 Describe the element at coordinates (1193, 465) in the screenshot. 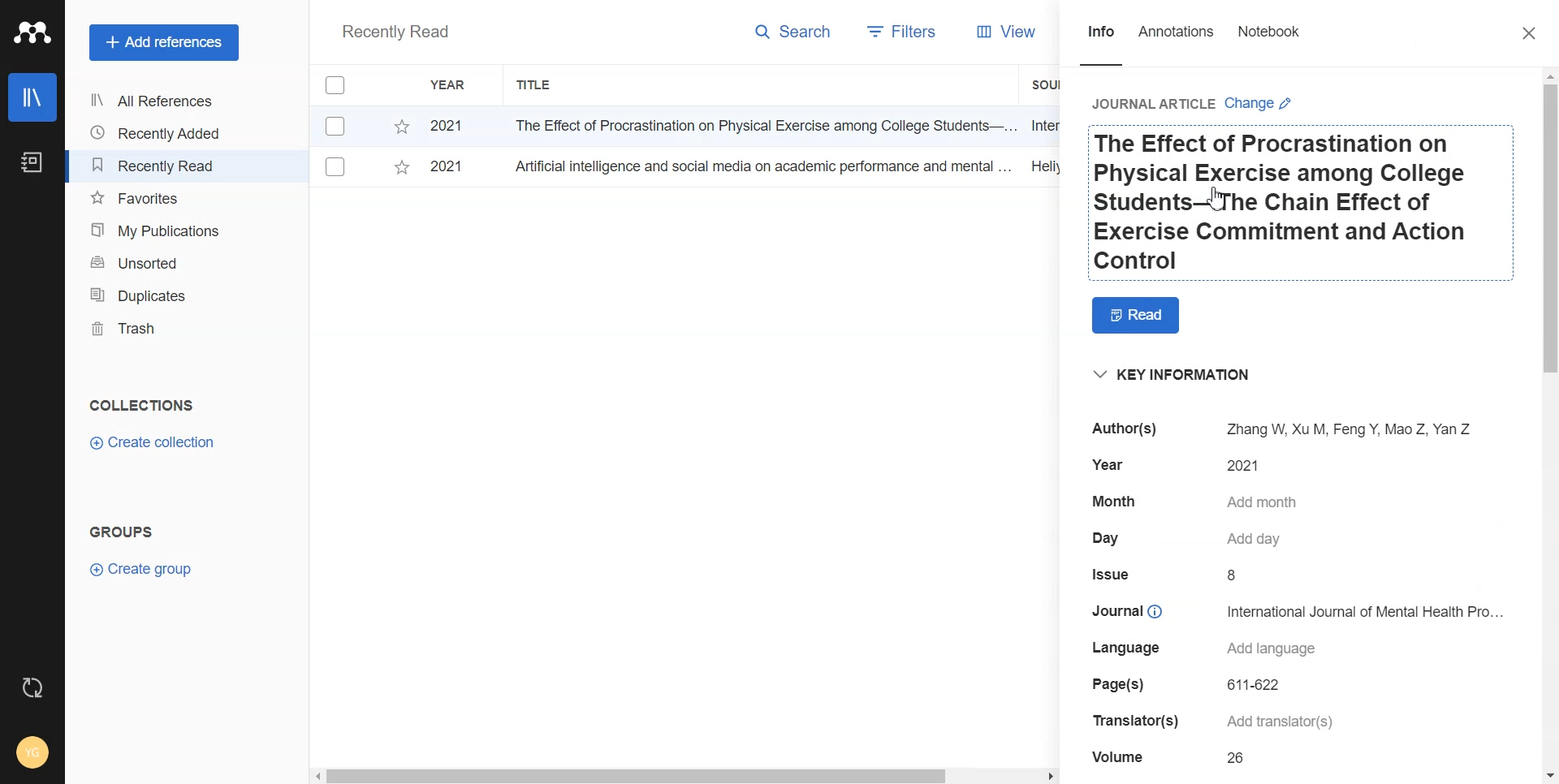

I see `Year 2021` at that location.